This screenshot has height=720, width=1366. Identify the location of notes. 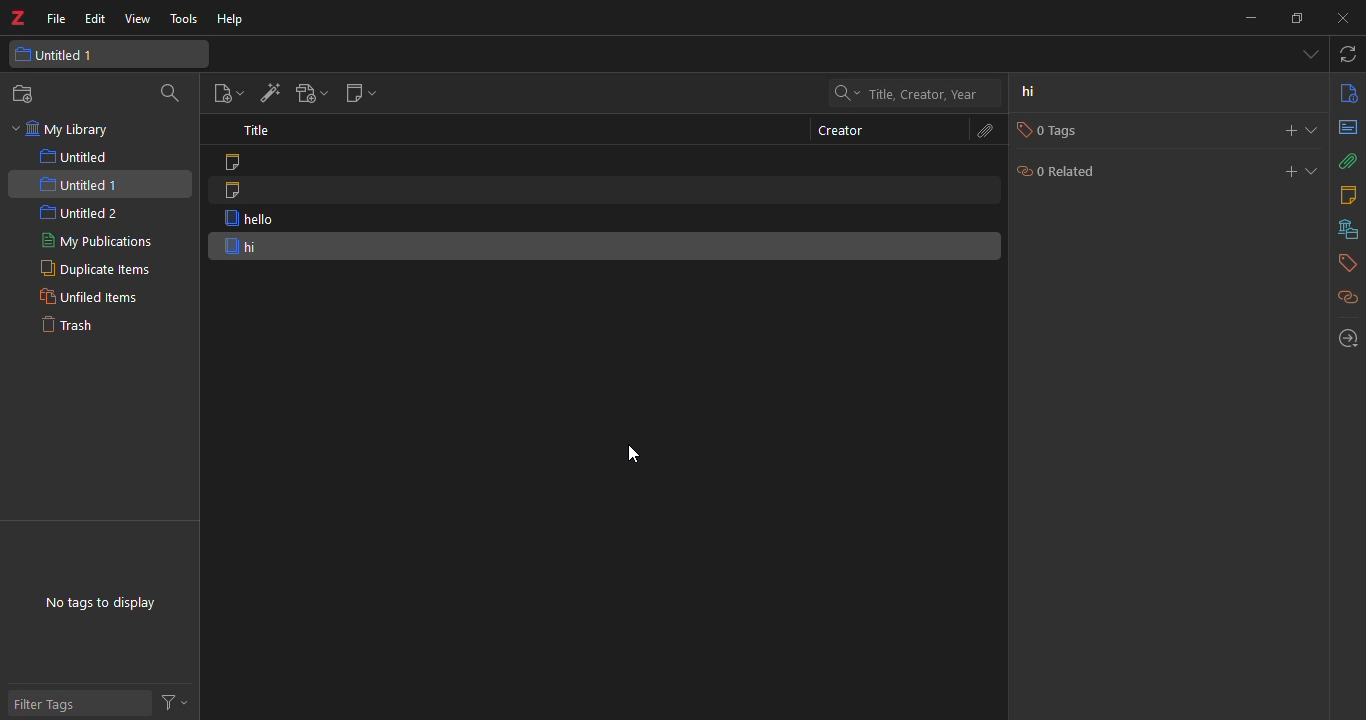
(1350, 194).